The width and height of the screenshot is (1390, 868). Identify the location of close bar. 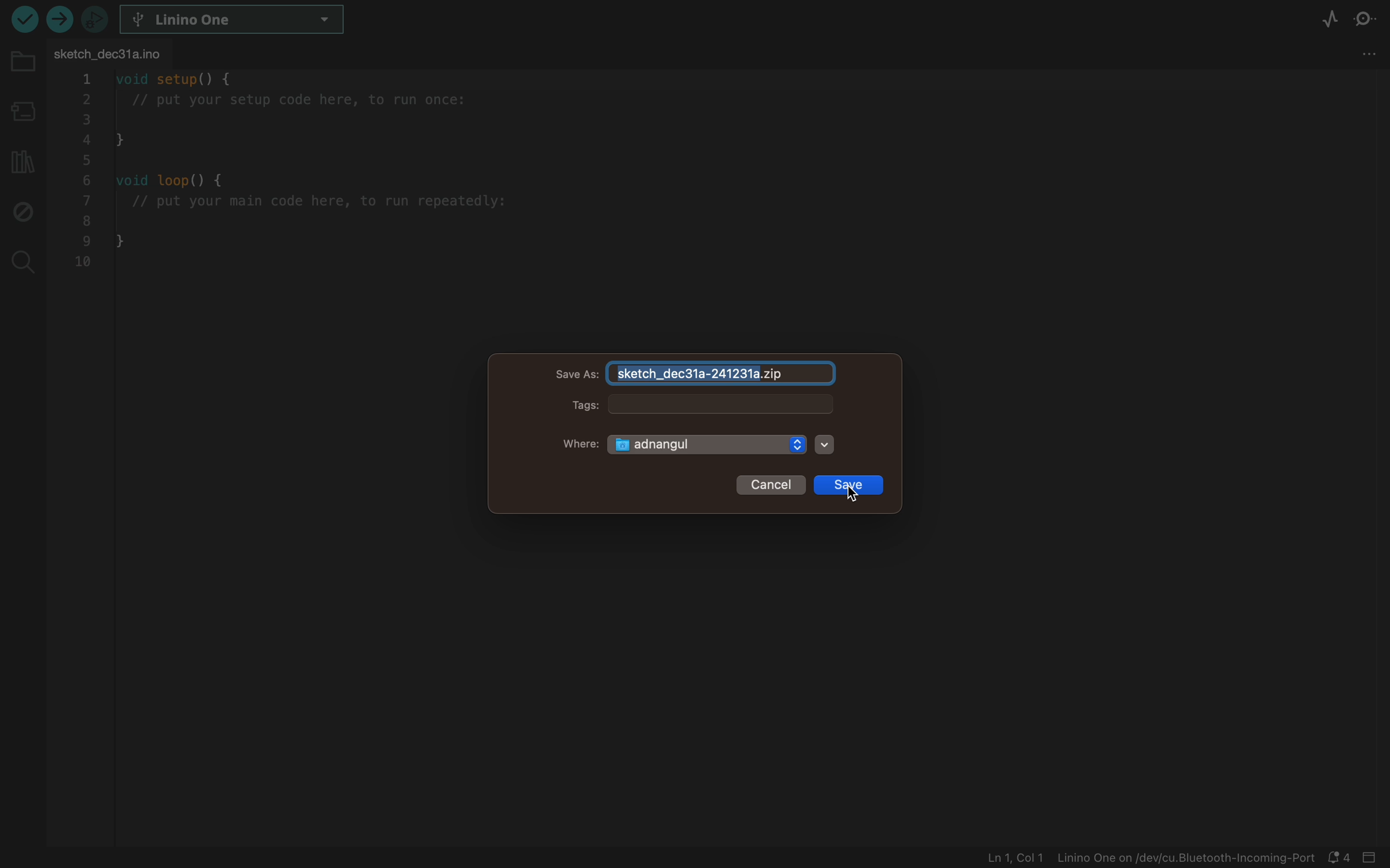
(1371, 858).